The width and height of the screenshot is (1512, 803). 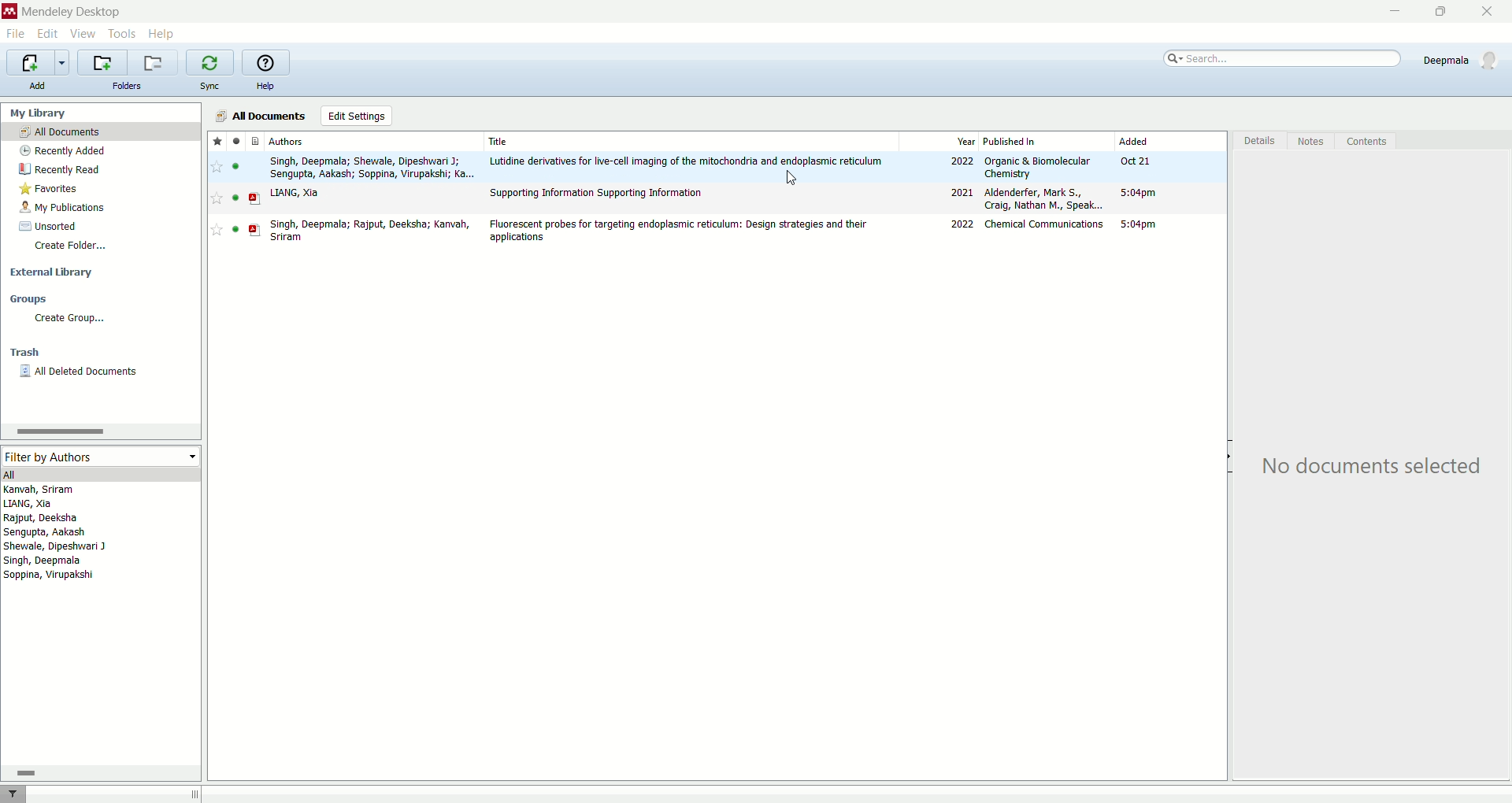 What do you see at coordinates (98, 474) in the screenshot?
I see `all` at bounding box center [98, 474].